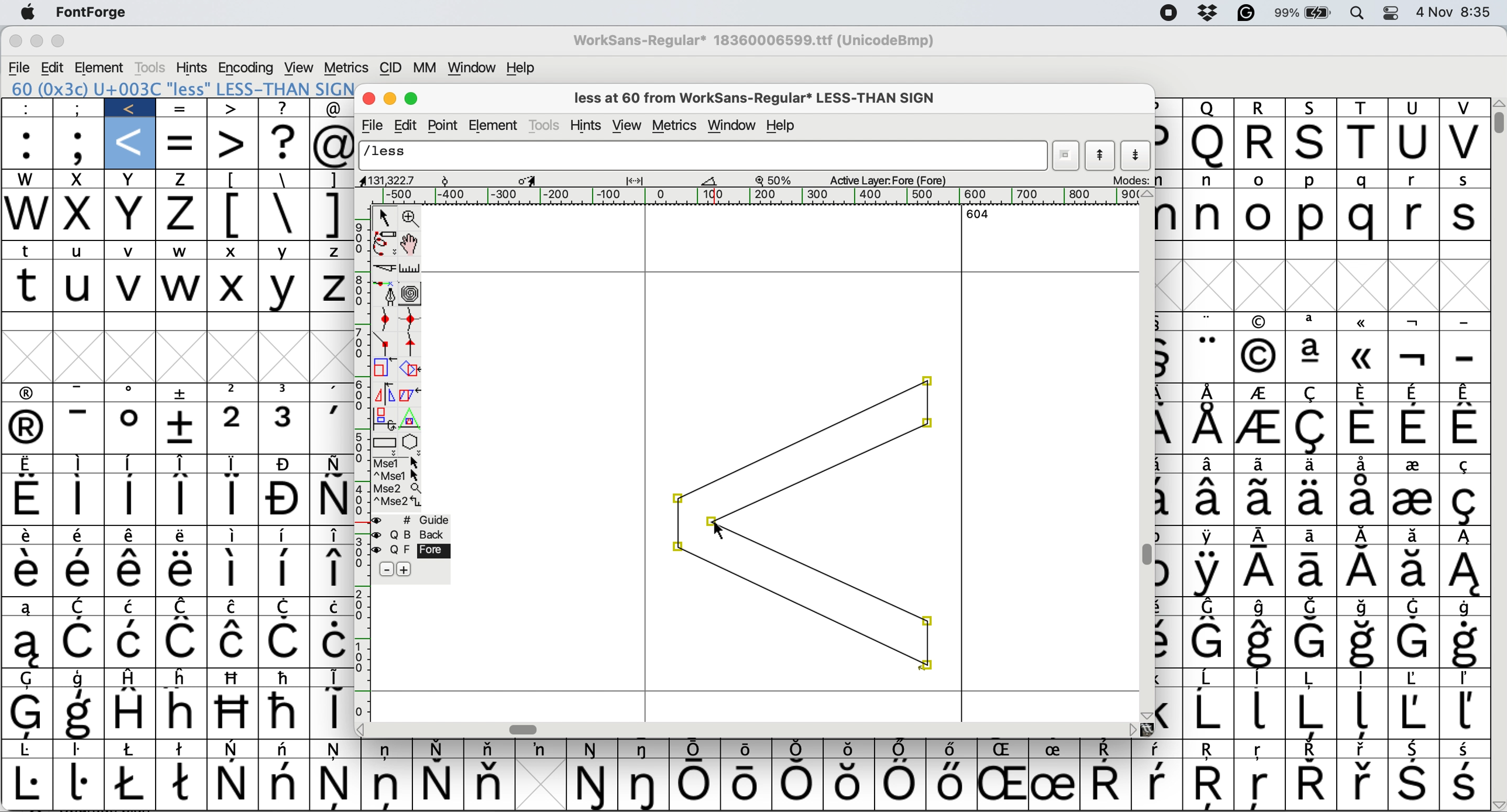 Image resolution: width=1507 pixels, height=812 pixels. What do you see at coordinates (30, 108) in the screenshot?
I see `:` at bounding box center [30, 108].